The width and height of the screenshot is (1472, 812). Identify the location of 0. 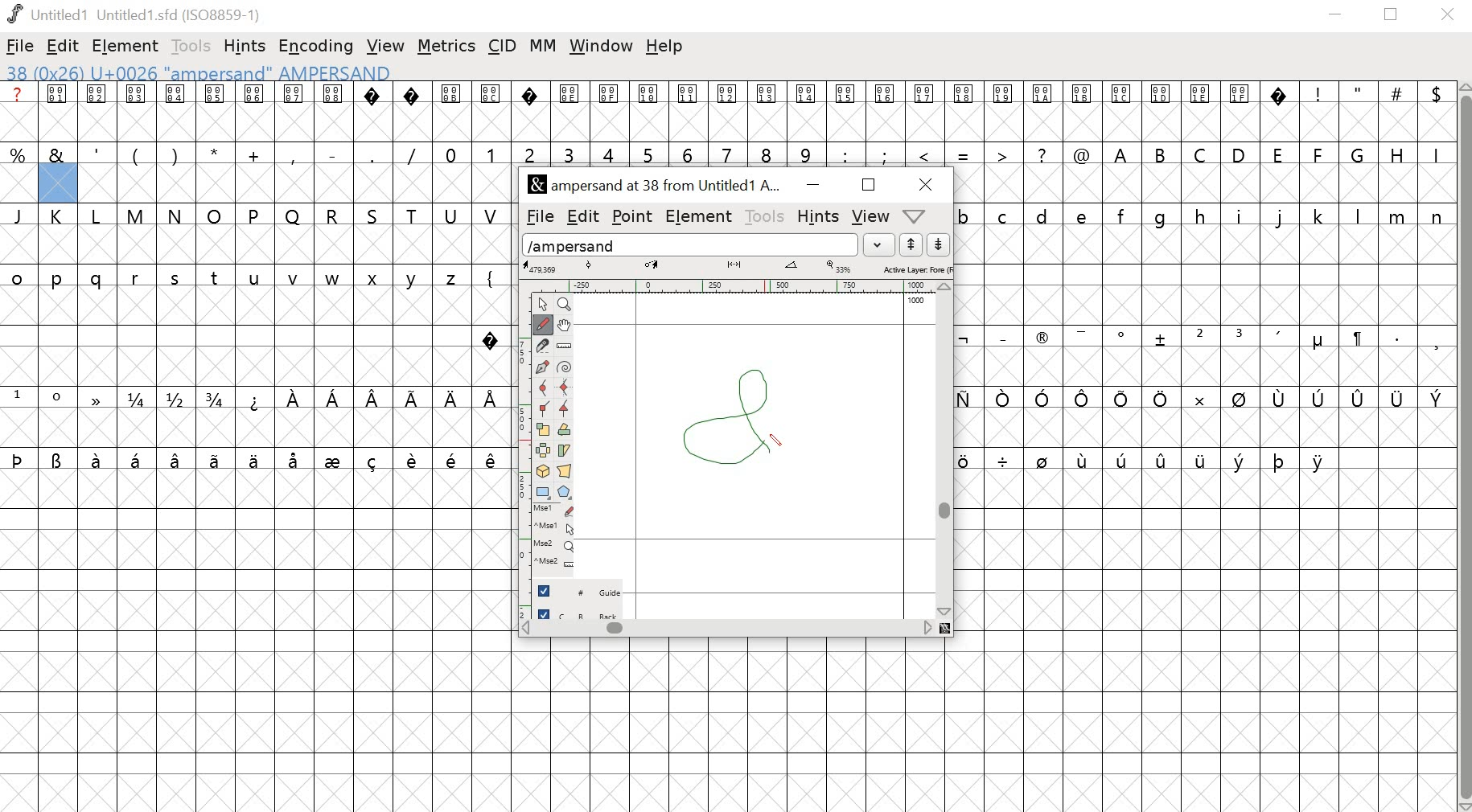
(60, 399).